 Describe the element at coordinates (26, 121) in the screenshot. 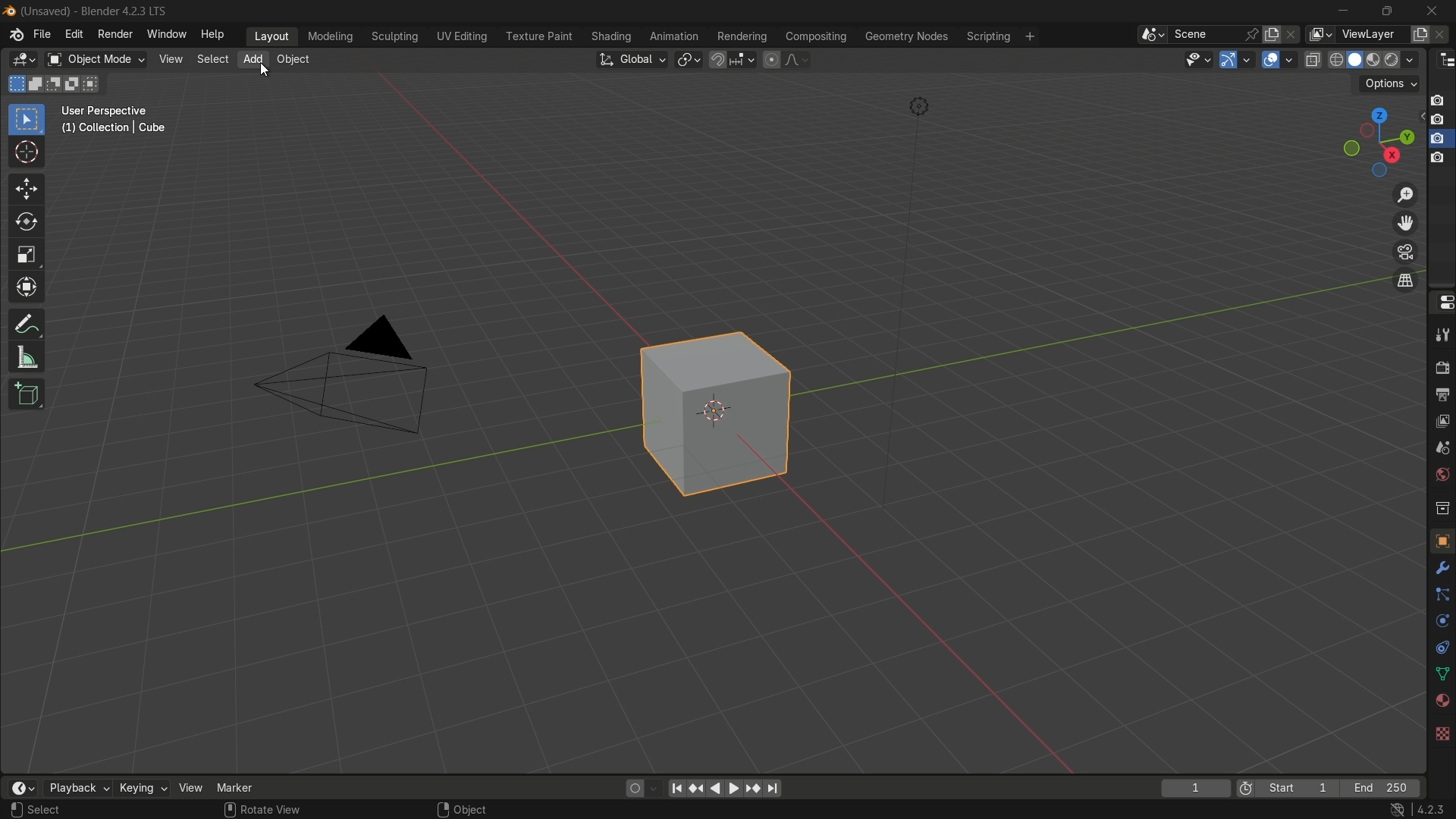

I see `select` at that location.